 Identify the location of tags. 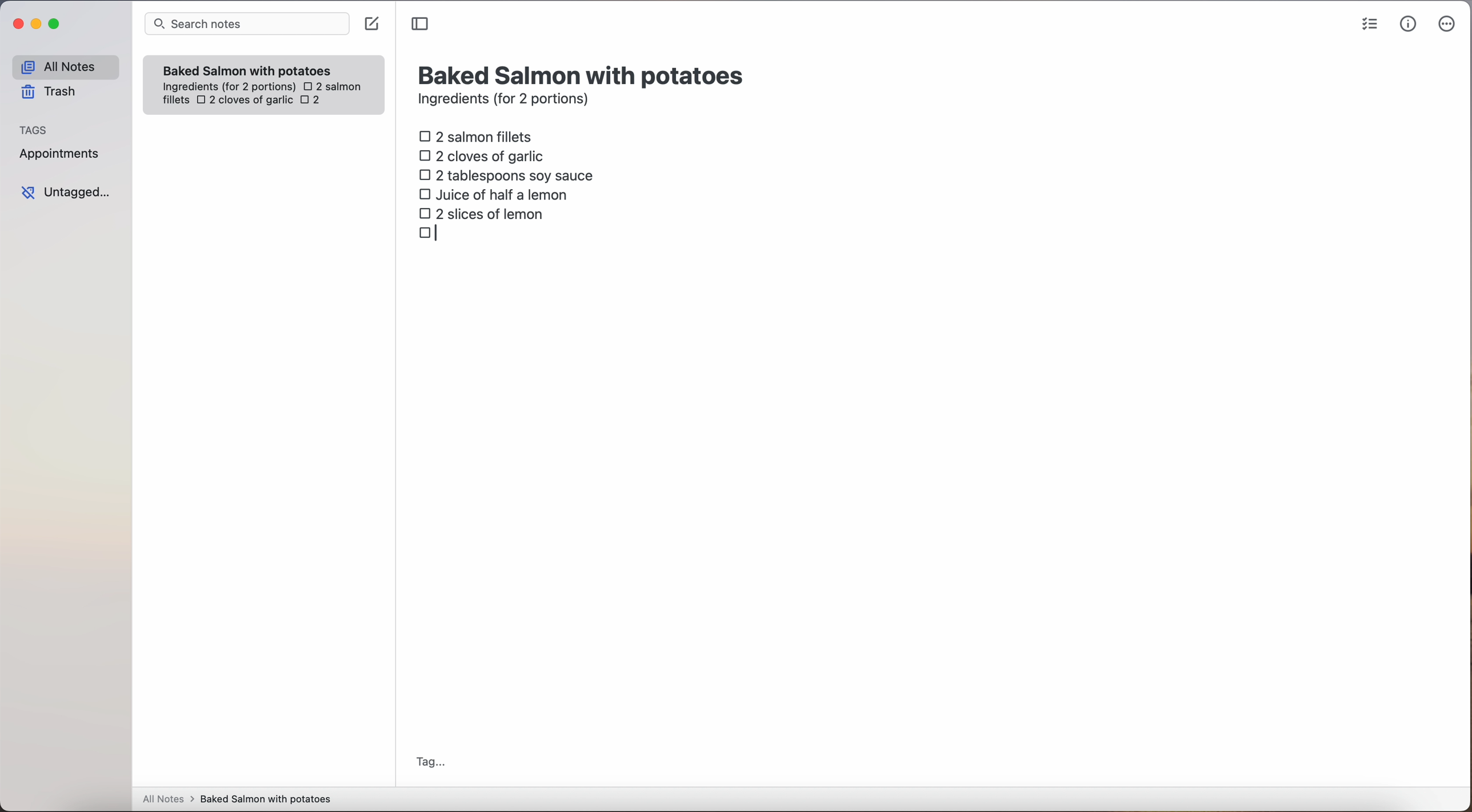
(34, 129).